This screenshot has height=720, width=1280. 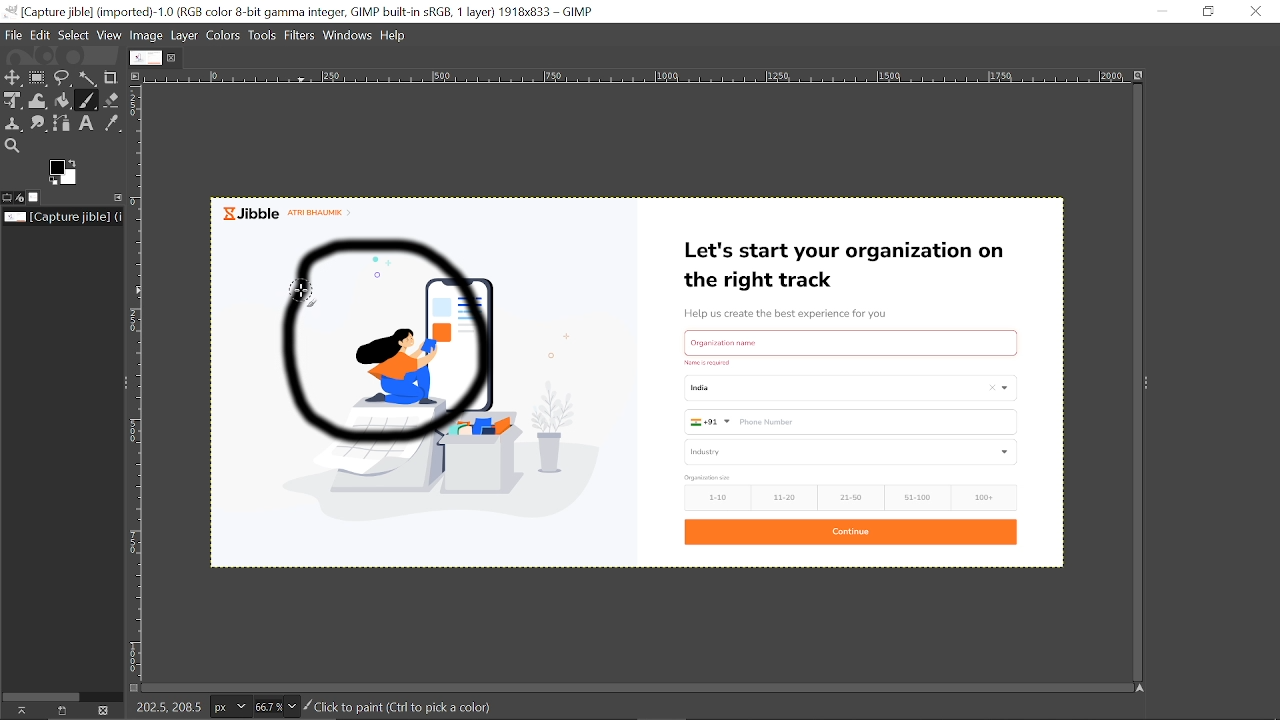 I want to click on Smudge tool, so click(x=40, y=122).